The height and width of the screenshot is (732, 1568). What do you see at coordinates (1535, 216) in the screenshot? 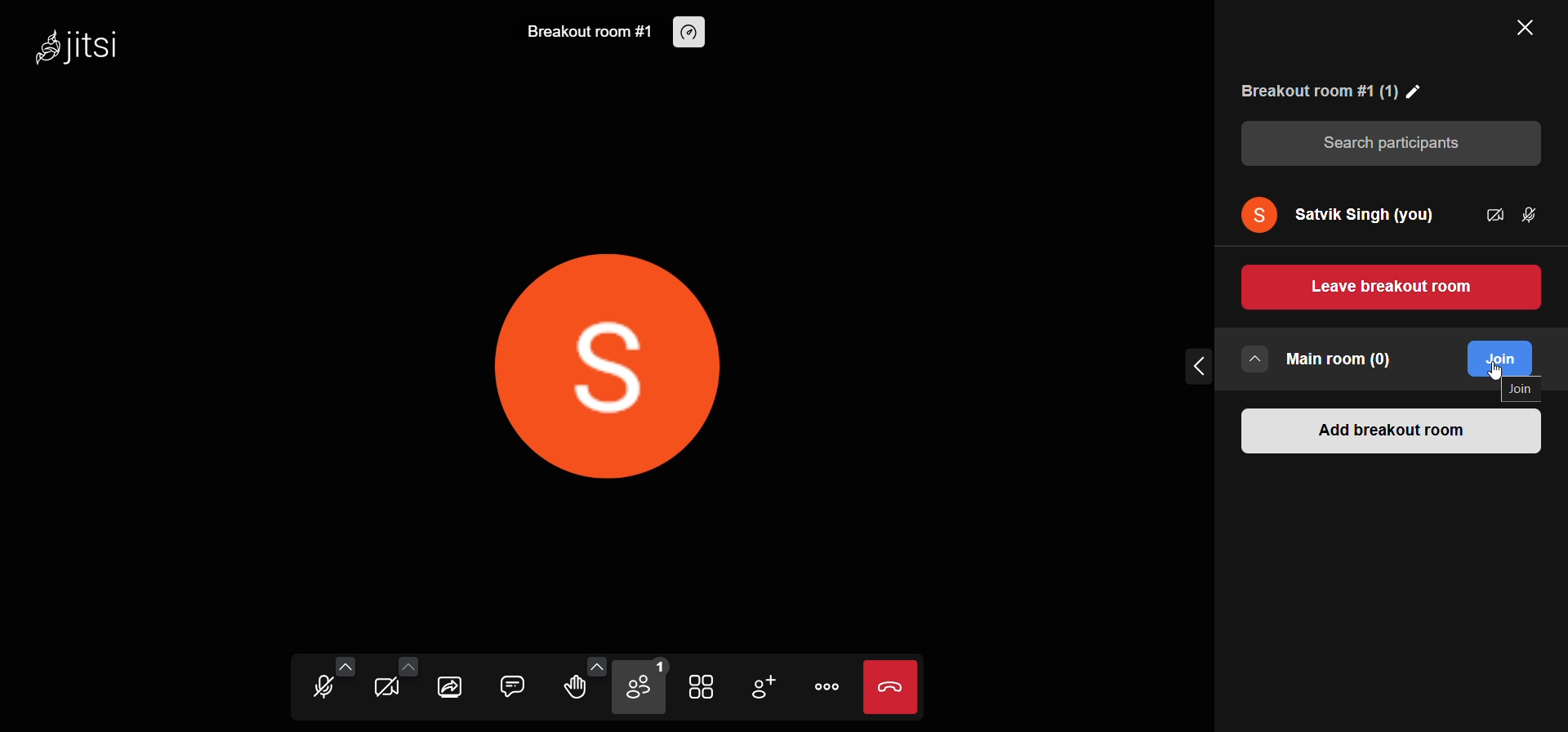
I see `mic` at bounding box center [1535, 216].